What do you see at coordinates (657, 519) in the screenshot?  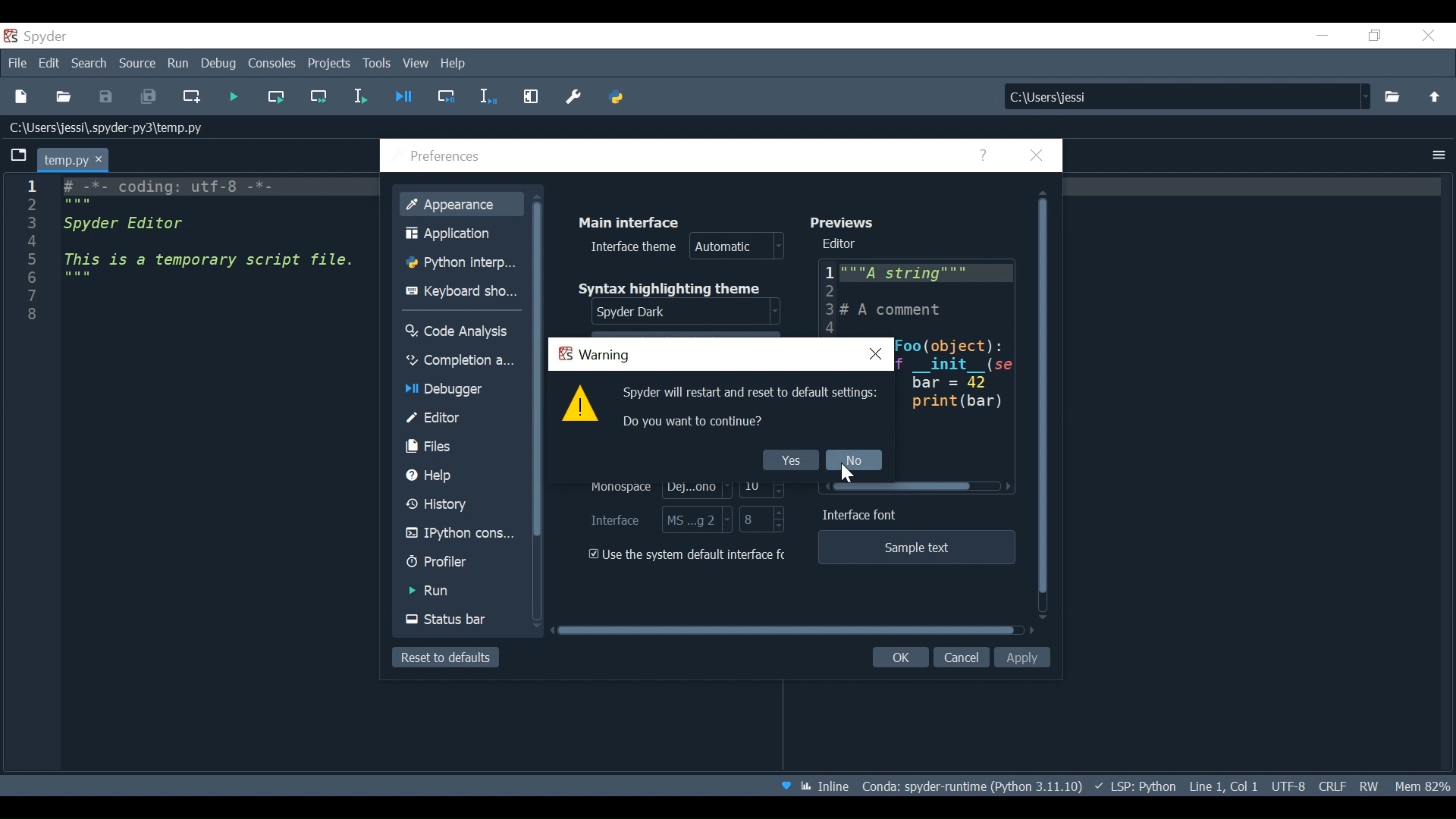 I see `Interface fonts` at bounding box center [657, 519].